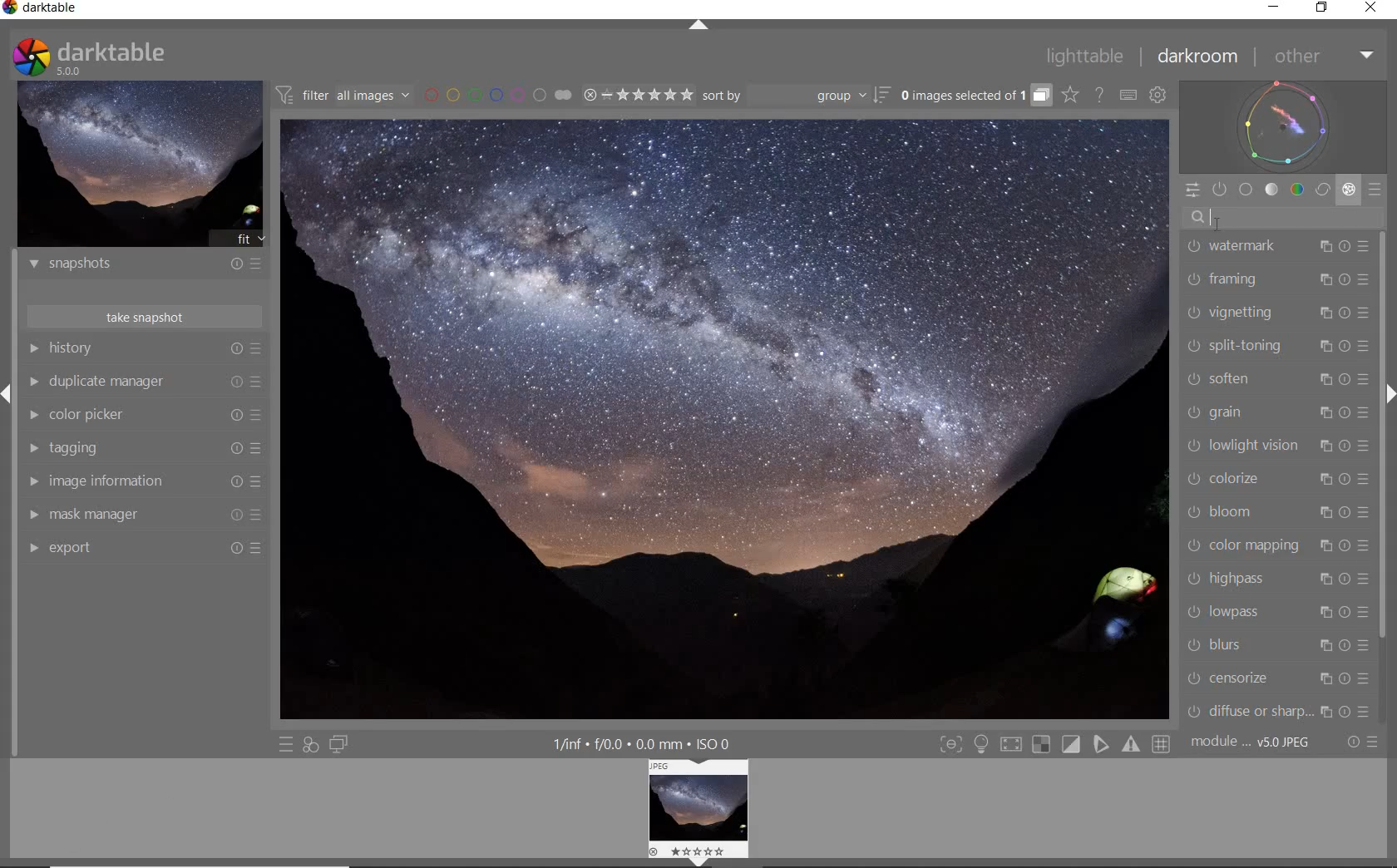  Describe the element at coordinates (1325, 411) in the screenshot. I see `multiple instance actions` at that location.